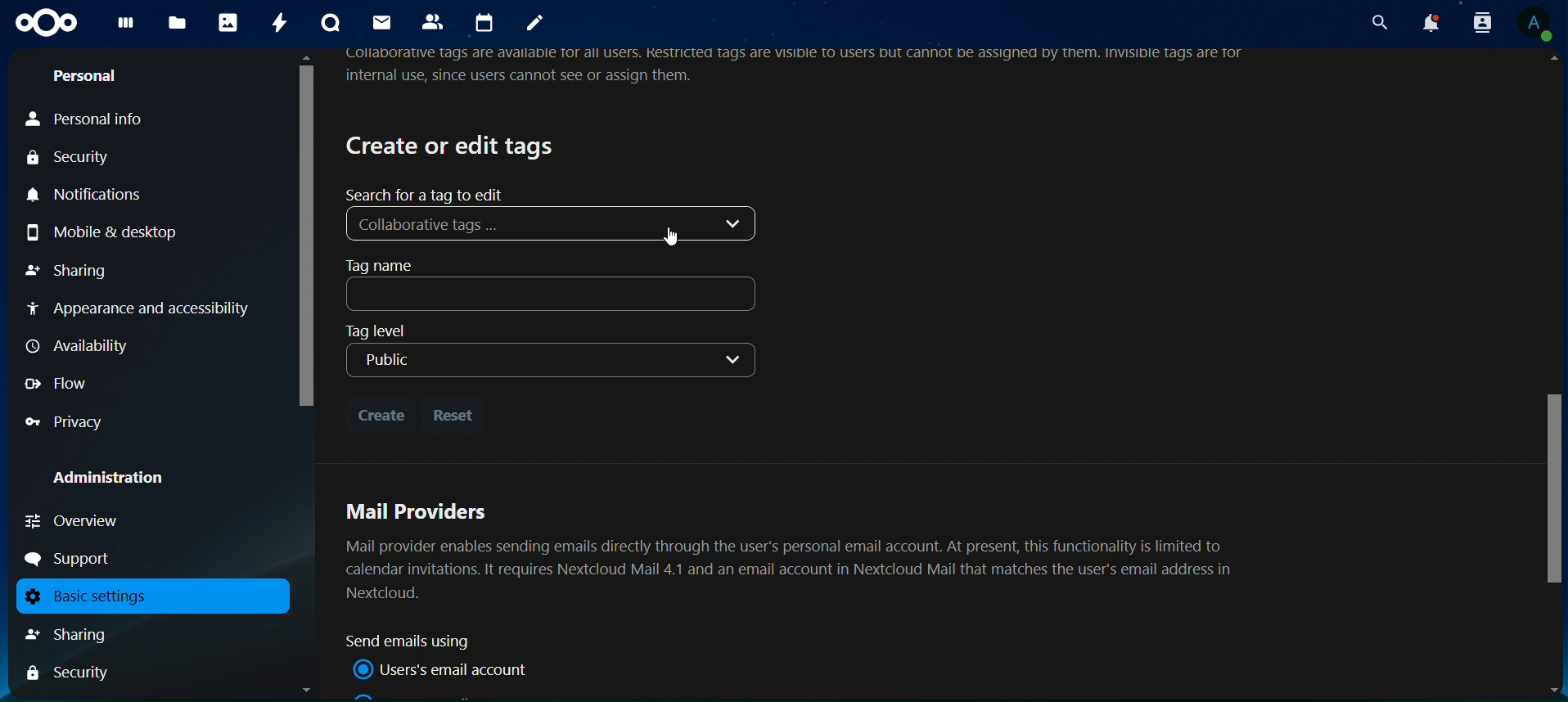 The height and width of the screenshot is (702, 1568). What do you see at coordinates (304, 374) in the screenshot?
I see `Scrollbar` at bounding box center [304, 374].